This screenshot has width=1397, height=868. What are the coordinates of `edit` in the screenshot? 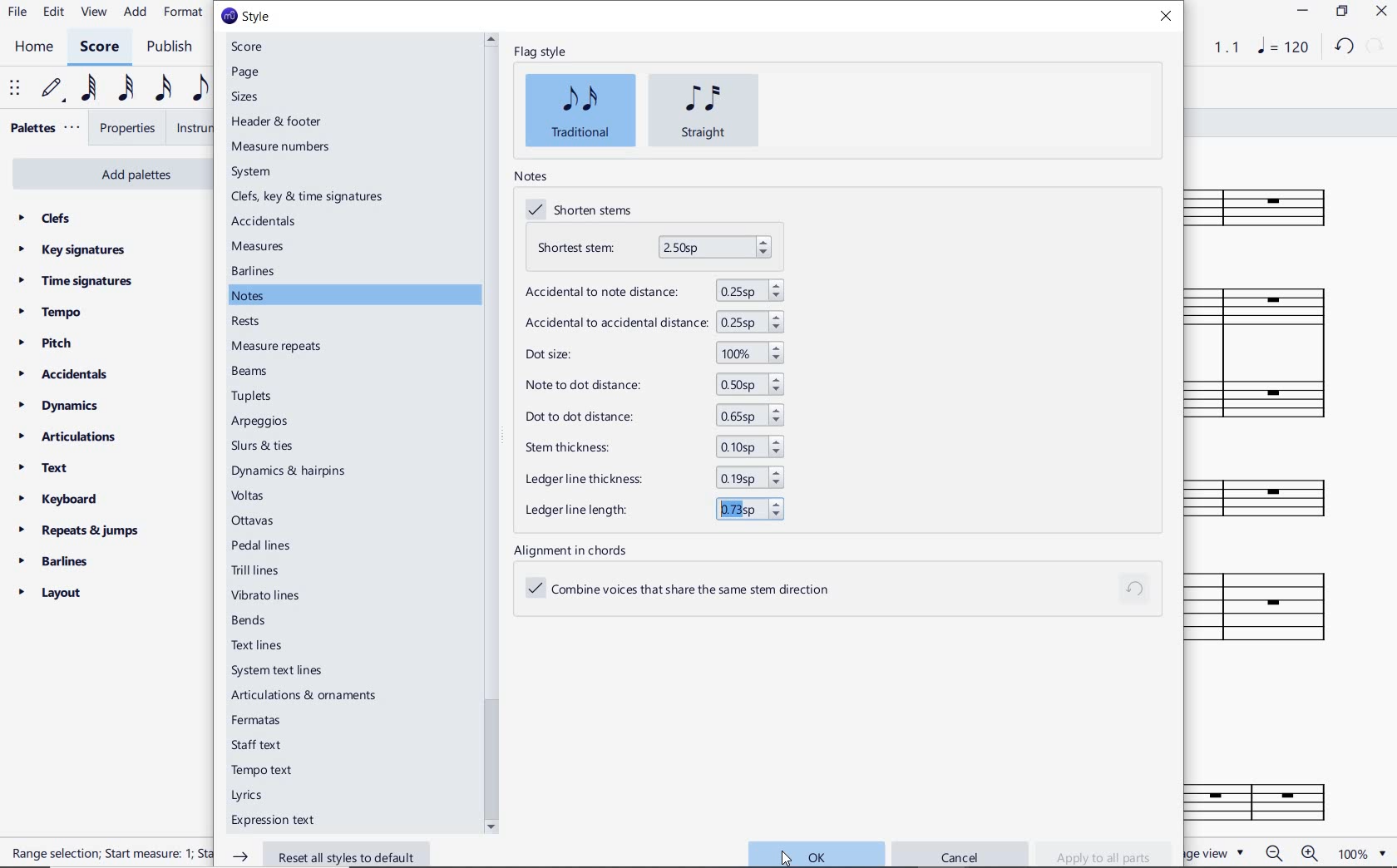 It's located at (52, 12).